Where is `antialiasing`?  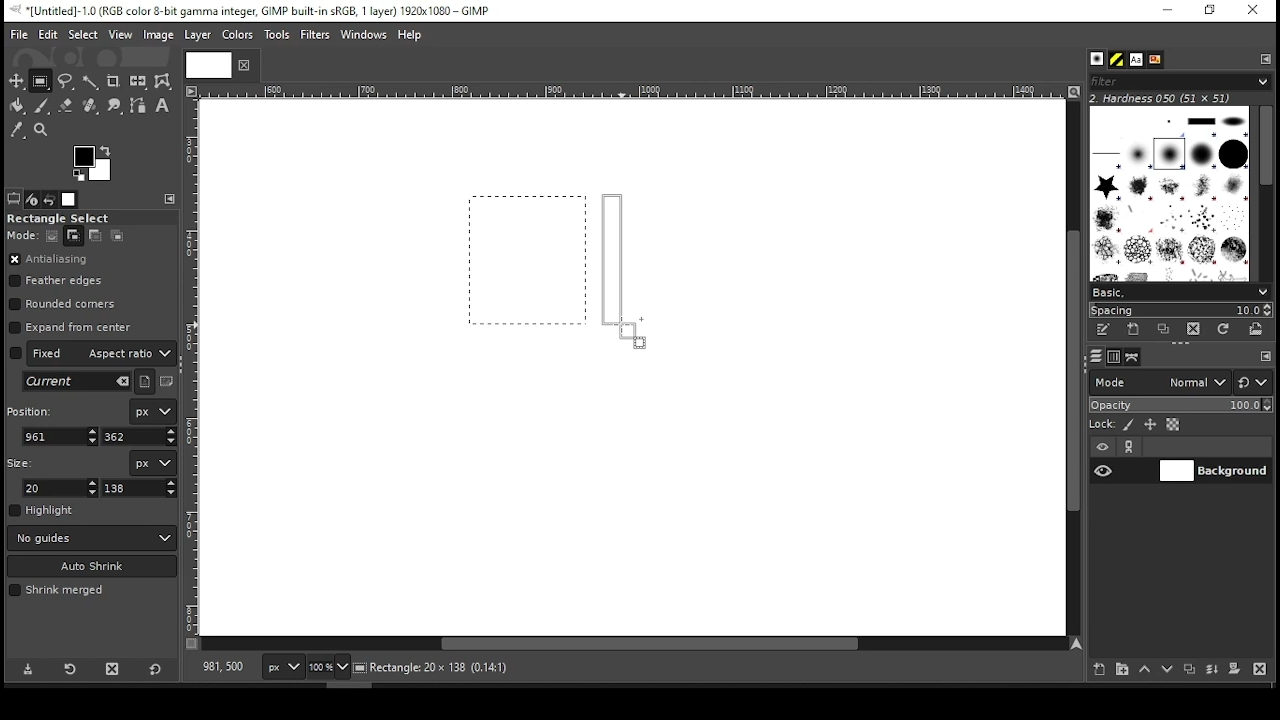 antialiasing is located at coordinates (49, 260).